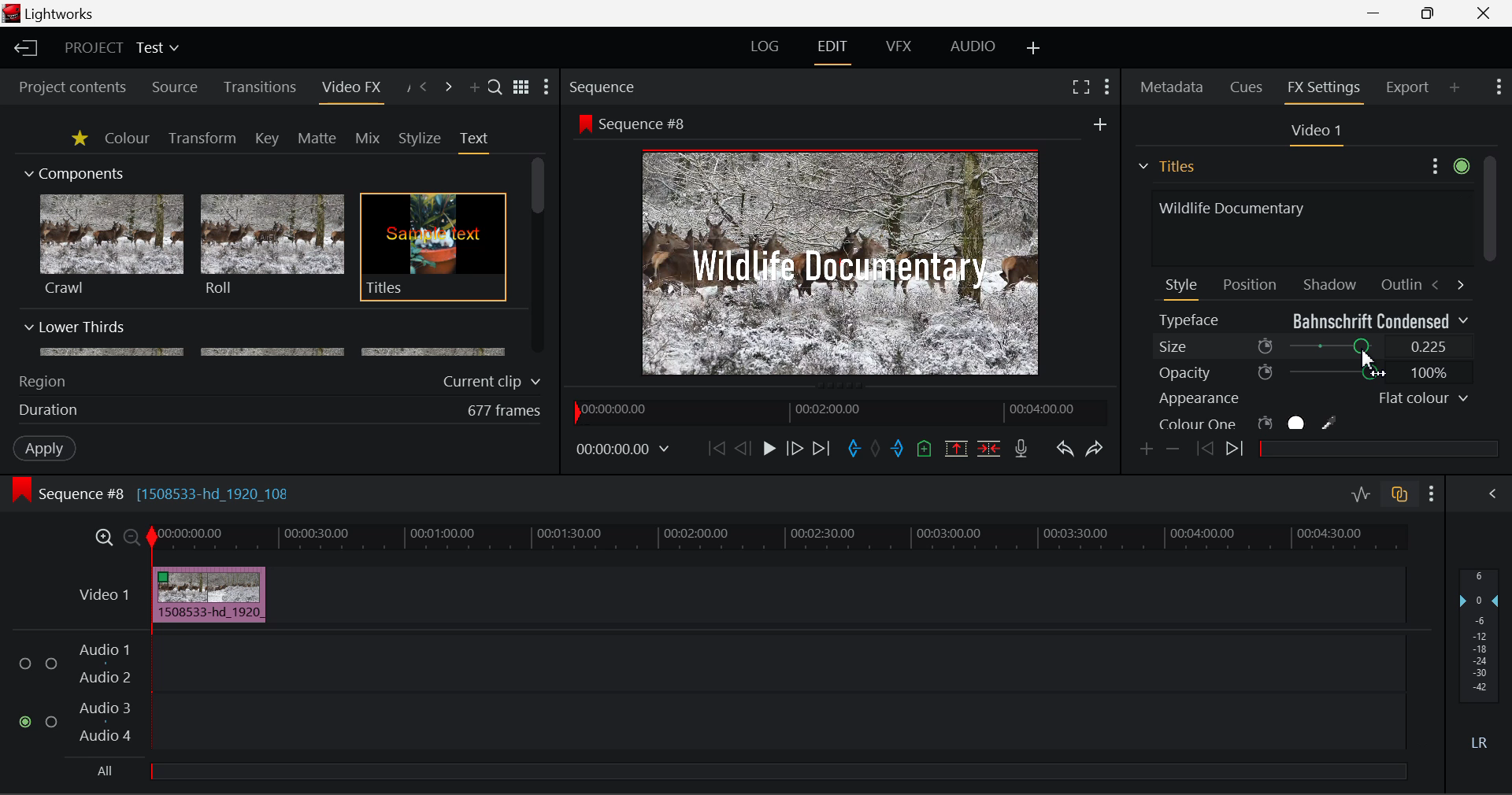 The height and width of the screenshot is (795, 1512). What do you see at coordinates (167, 494) in the screenshot?
I see `Sequence #8 [1508533-hd_1920_108` at bounding box center [167, 494].